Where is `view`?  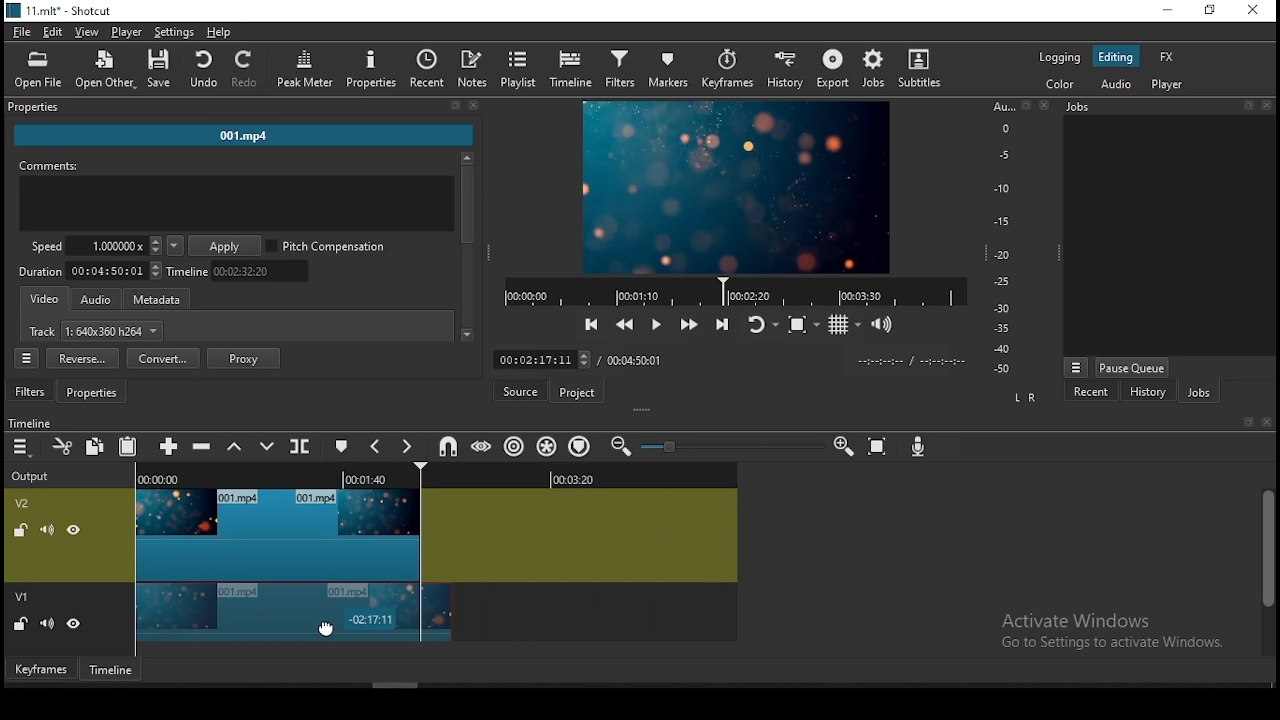
view is located at coordinates (87, 33).